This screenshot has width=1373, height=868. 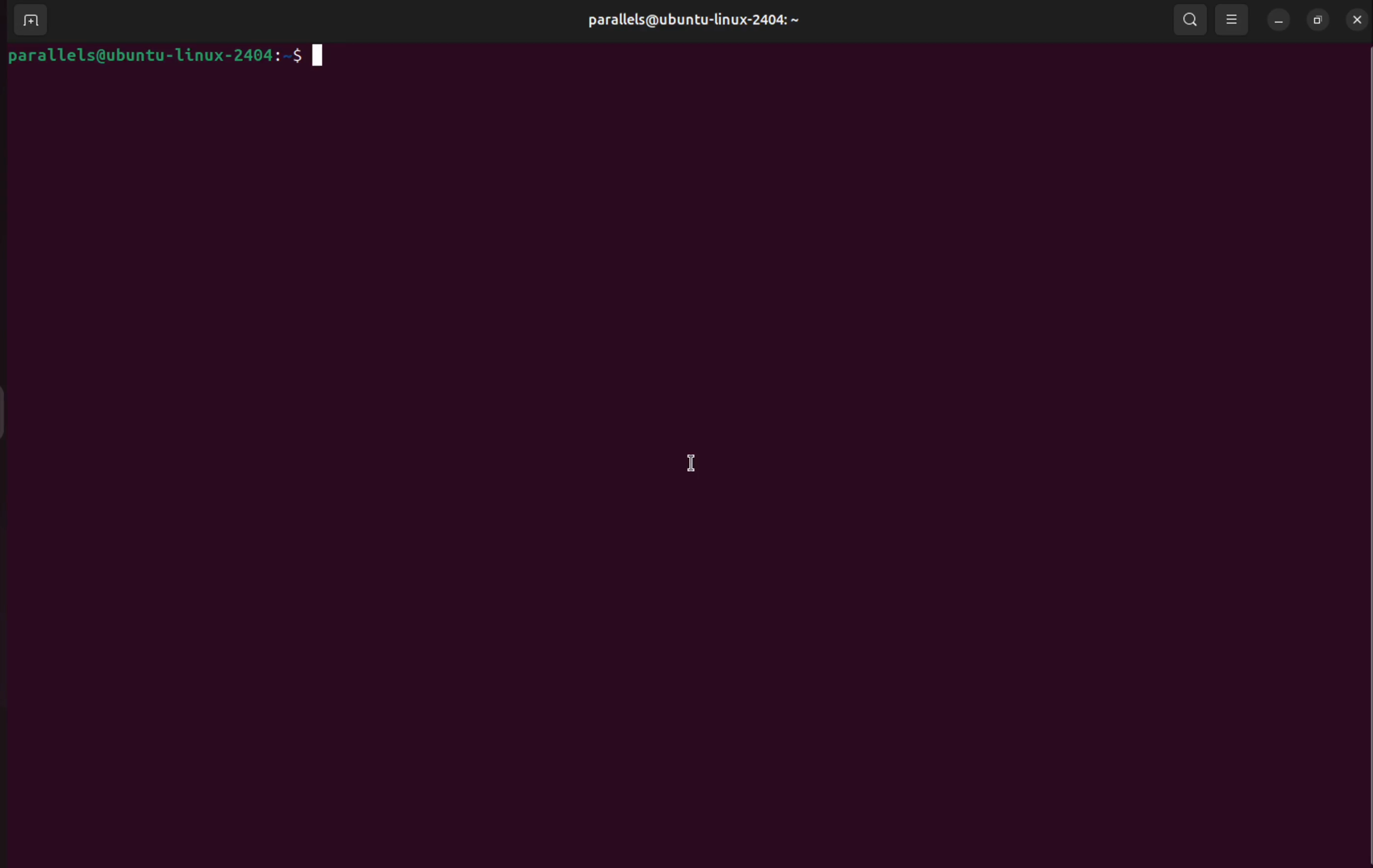 What do you see at coordinates (1317, 17) in the screenshot?
I see `resize` at bounding box center [1317, 17].